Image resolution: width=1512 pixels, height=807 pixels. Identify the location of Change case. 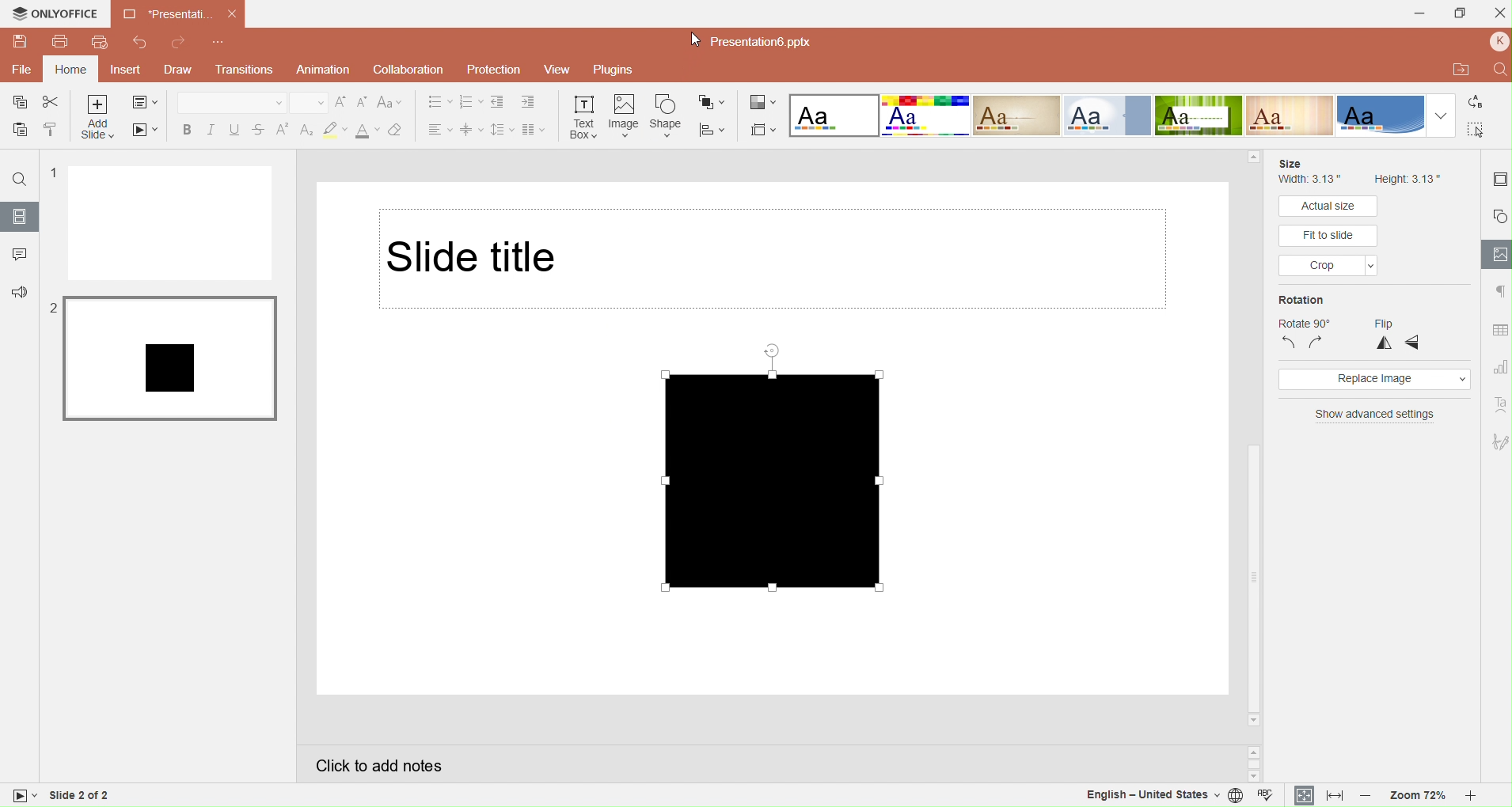
(393, 102).